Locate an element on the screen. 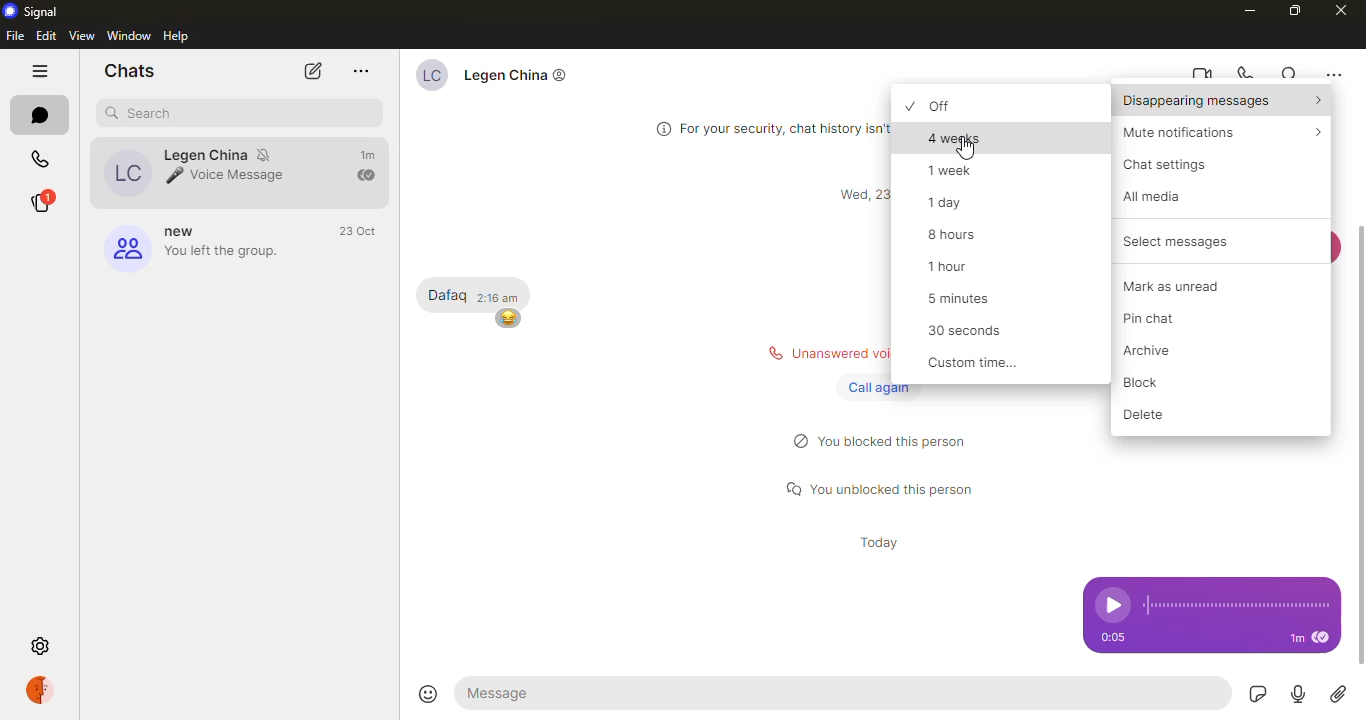 This screenshot has height=720, width=1366. search is located at coordinates (142, 114).